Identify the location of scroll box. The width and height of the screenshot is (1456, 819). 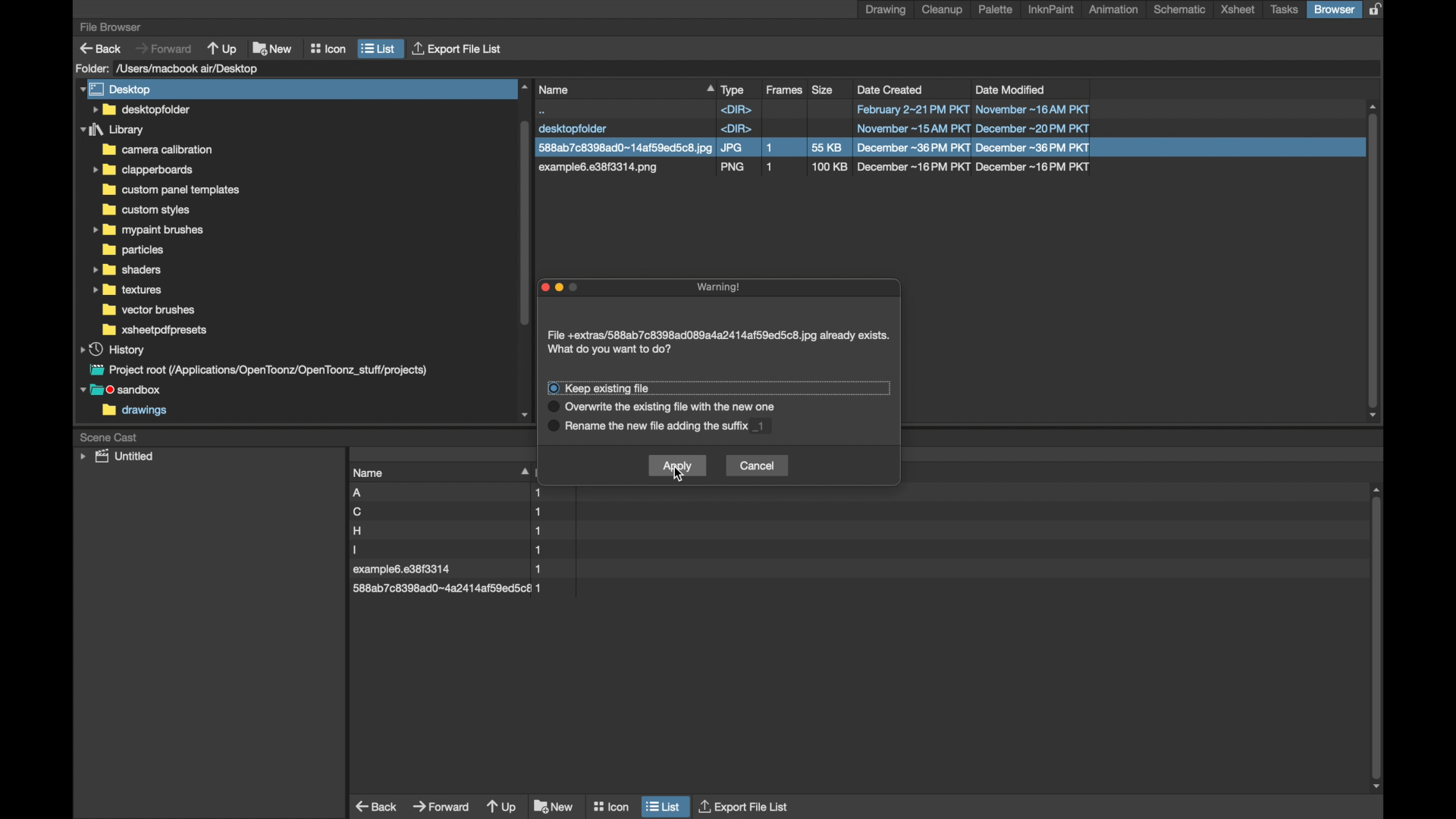
(1374, 262).